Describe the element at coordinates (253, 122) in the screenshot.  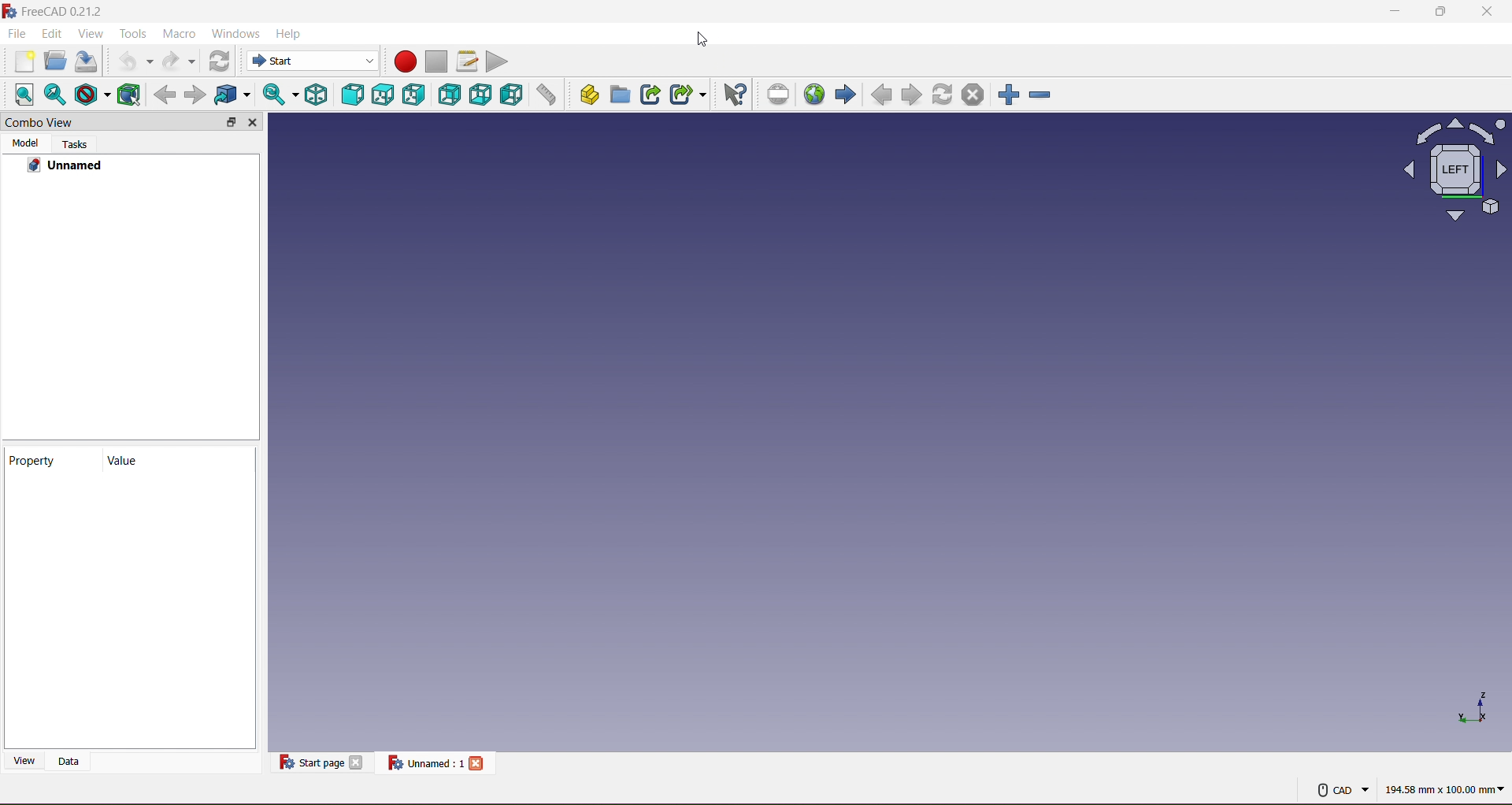
I see `Close` at that location.